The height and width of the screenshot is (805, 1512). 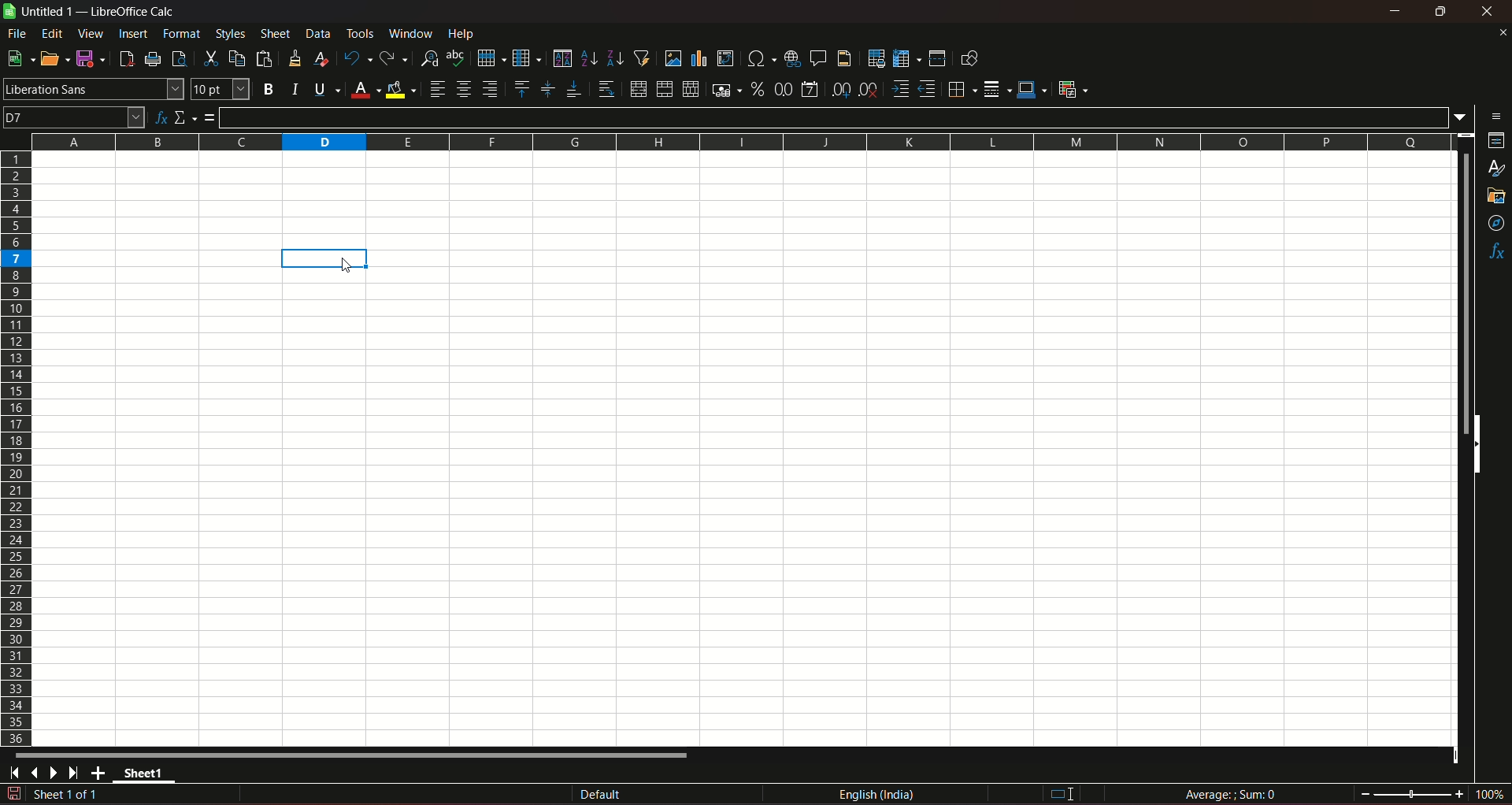 I want to click on align center, so click(x=464, y=89).